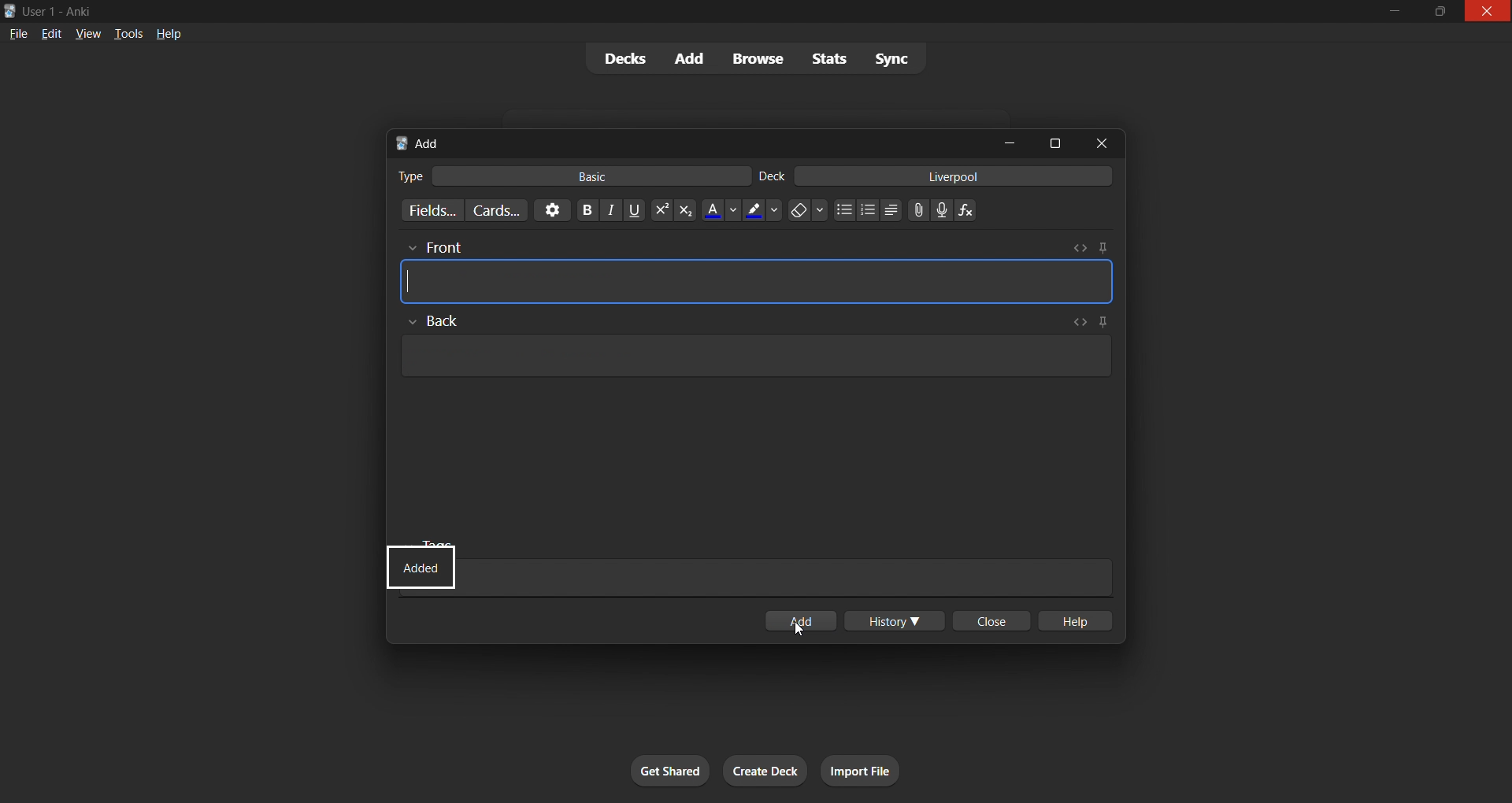 This screenshot has width=1512, height=803. What do you see at coordinates (610, 212) in the screenshot?
I see `italic` at bounding box center [610, 212].